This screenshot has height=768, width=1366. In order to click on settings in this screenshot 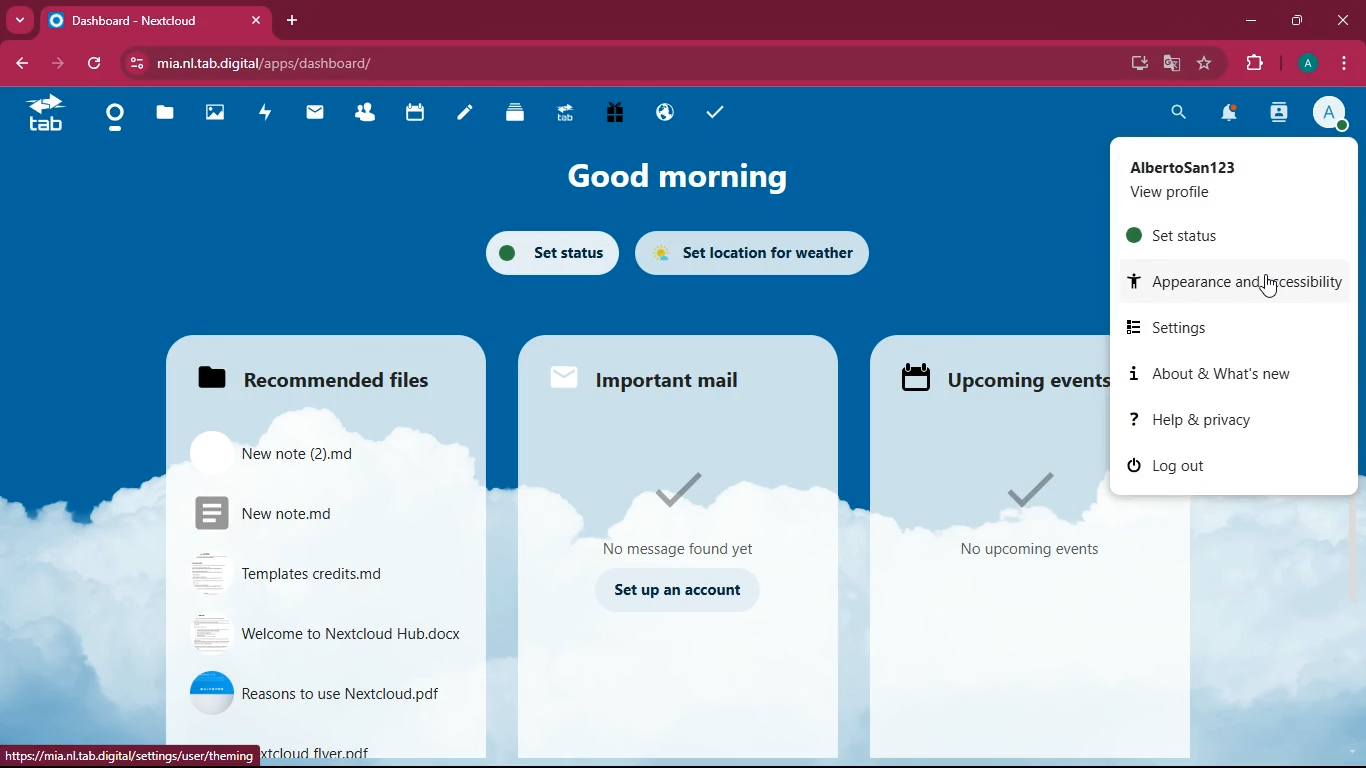, I will do `click(1218, 326)`.